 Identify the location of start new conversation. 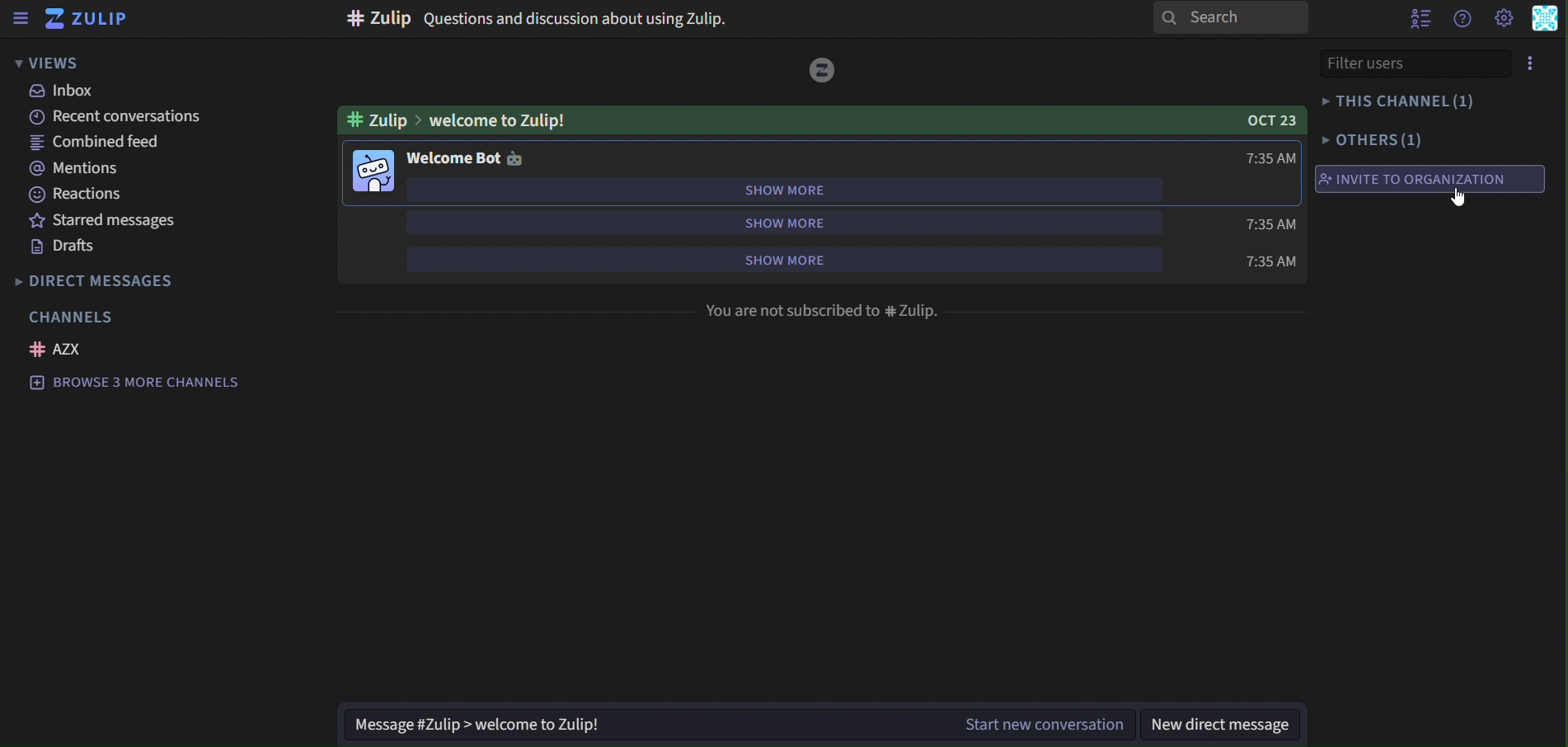
(739, 726).